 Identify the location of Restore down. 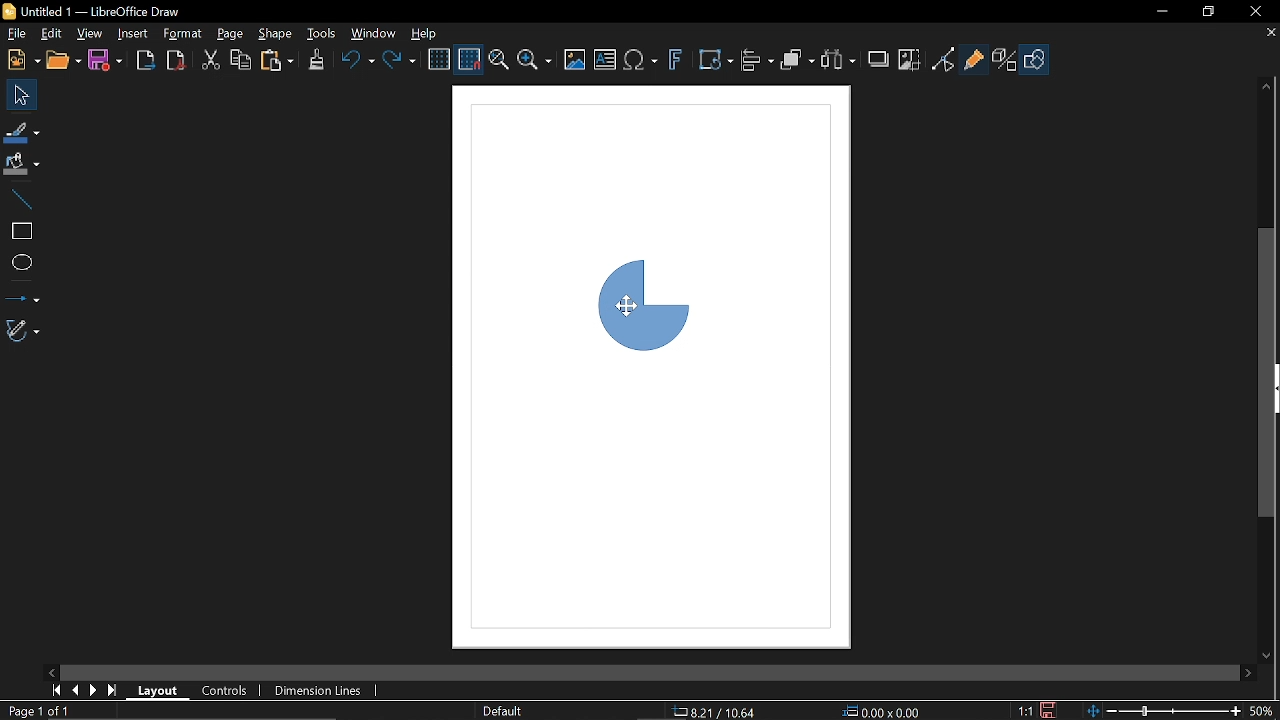
(1209, 13).